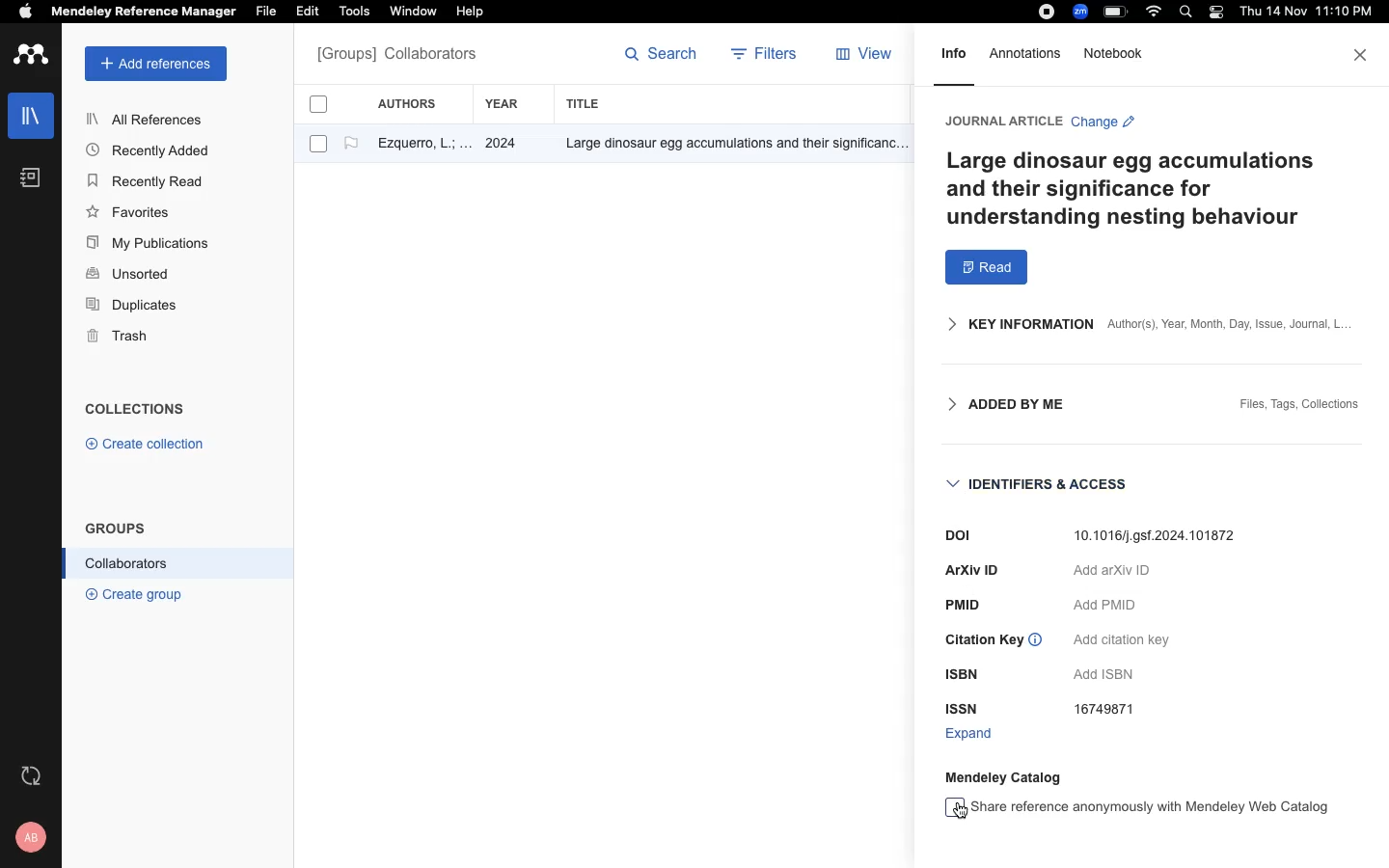 The height and width of the screenshot is (868, 1389). Describe the element at coordinates (34, 775) in the screenshot. I see `refresh` at that location.